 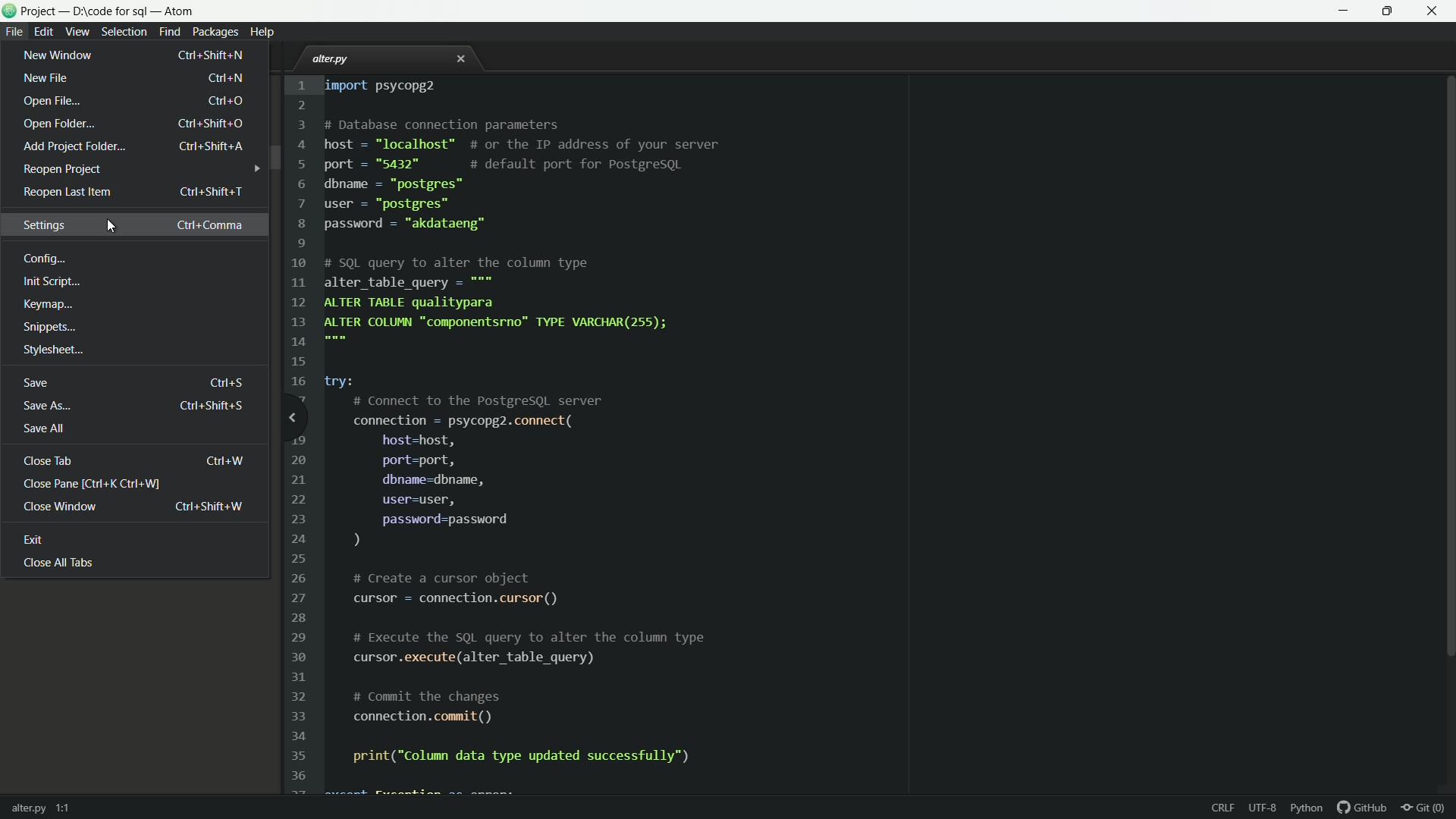 I want to click on save all, so click(x=46, y=429).